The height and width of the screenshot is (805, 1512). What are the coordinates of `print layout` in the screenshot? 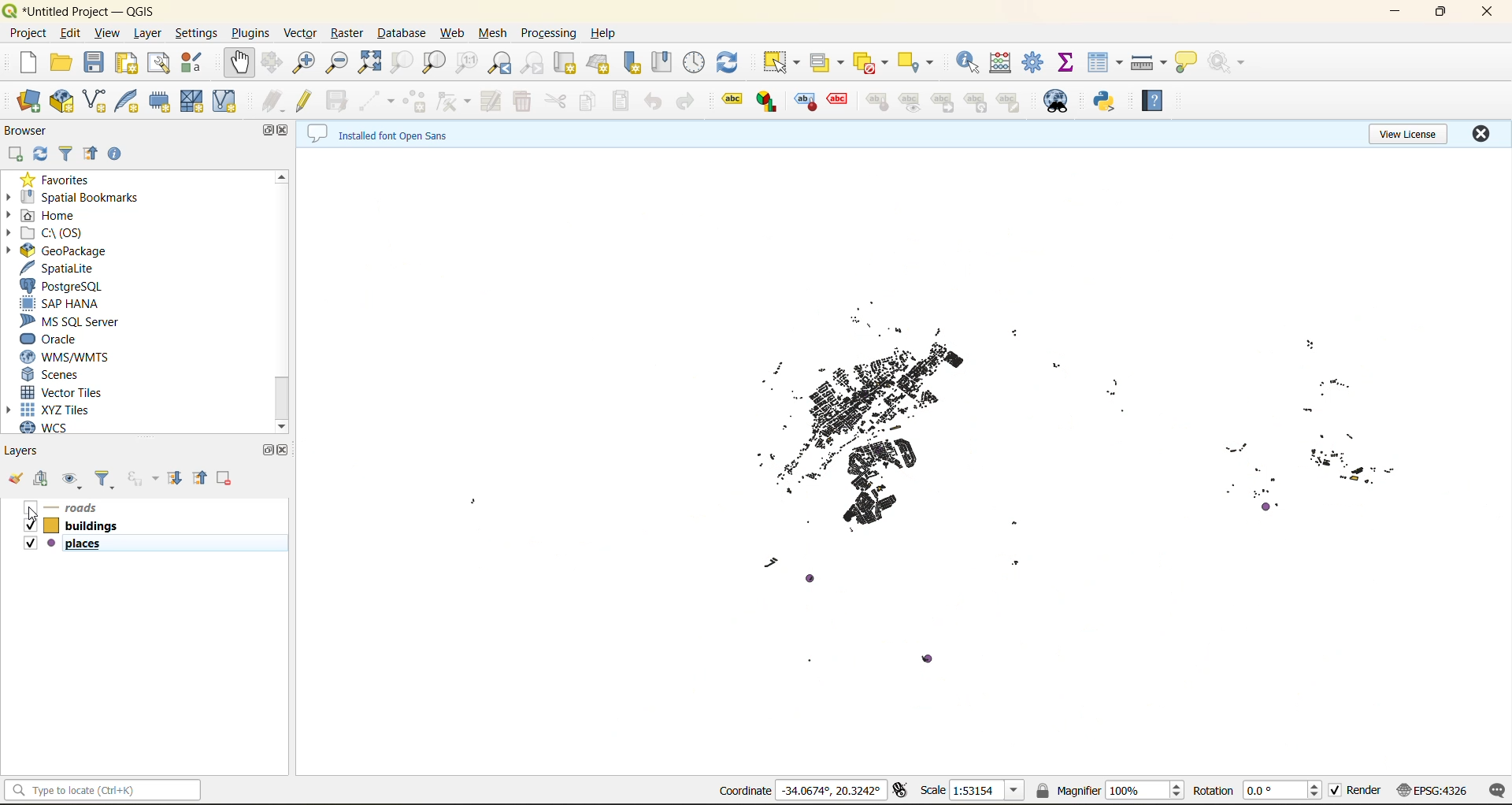 It's located at (128, 66).